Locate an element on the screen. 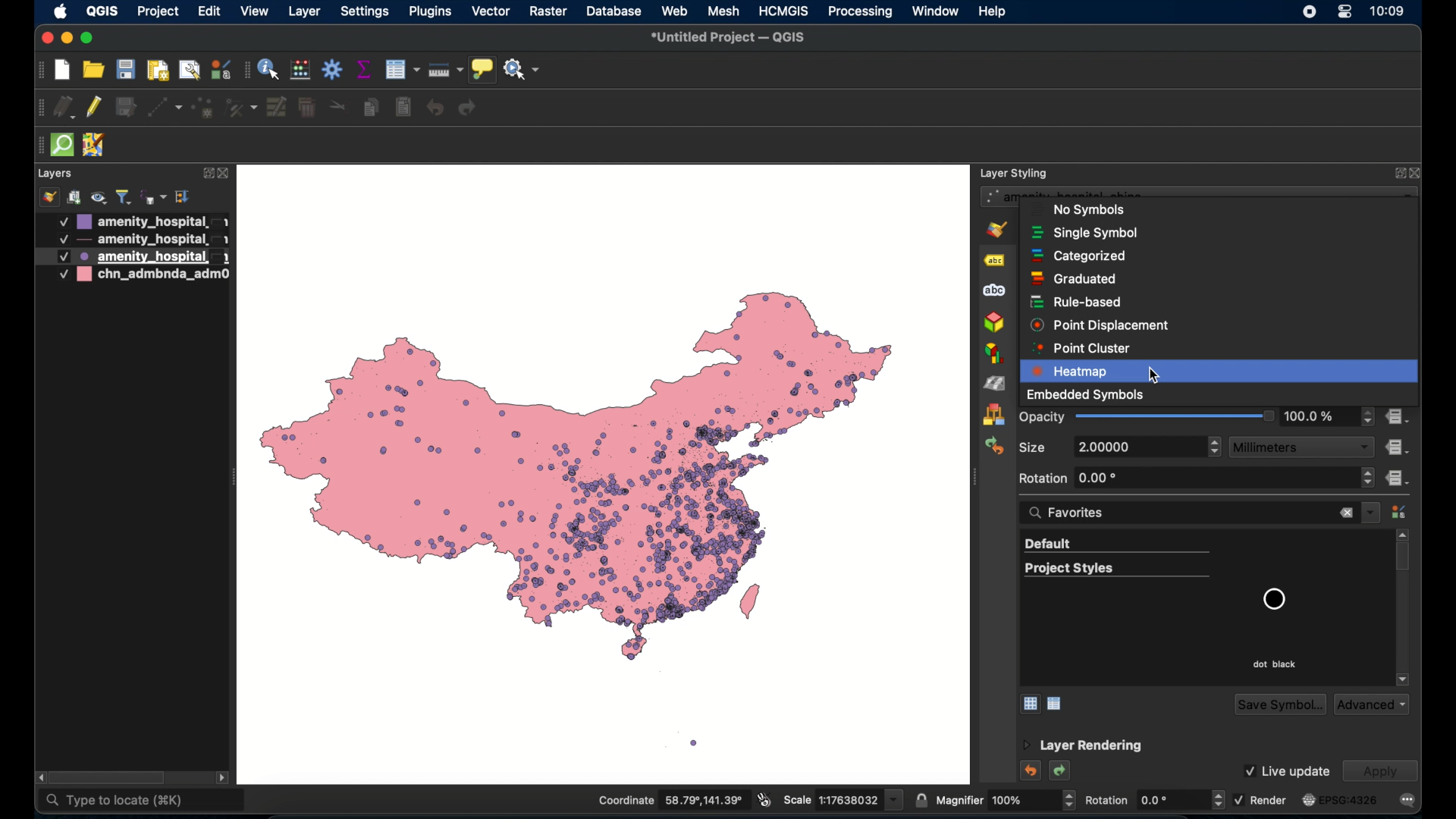  advanced is located at coordinates (1371, 704).